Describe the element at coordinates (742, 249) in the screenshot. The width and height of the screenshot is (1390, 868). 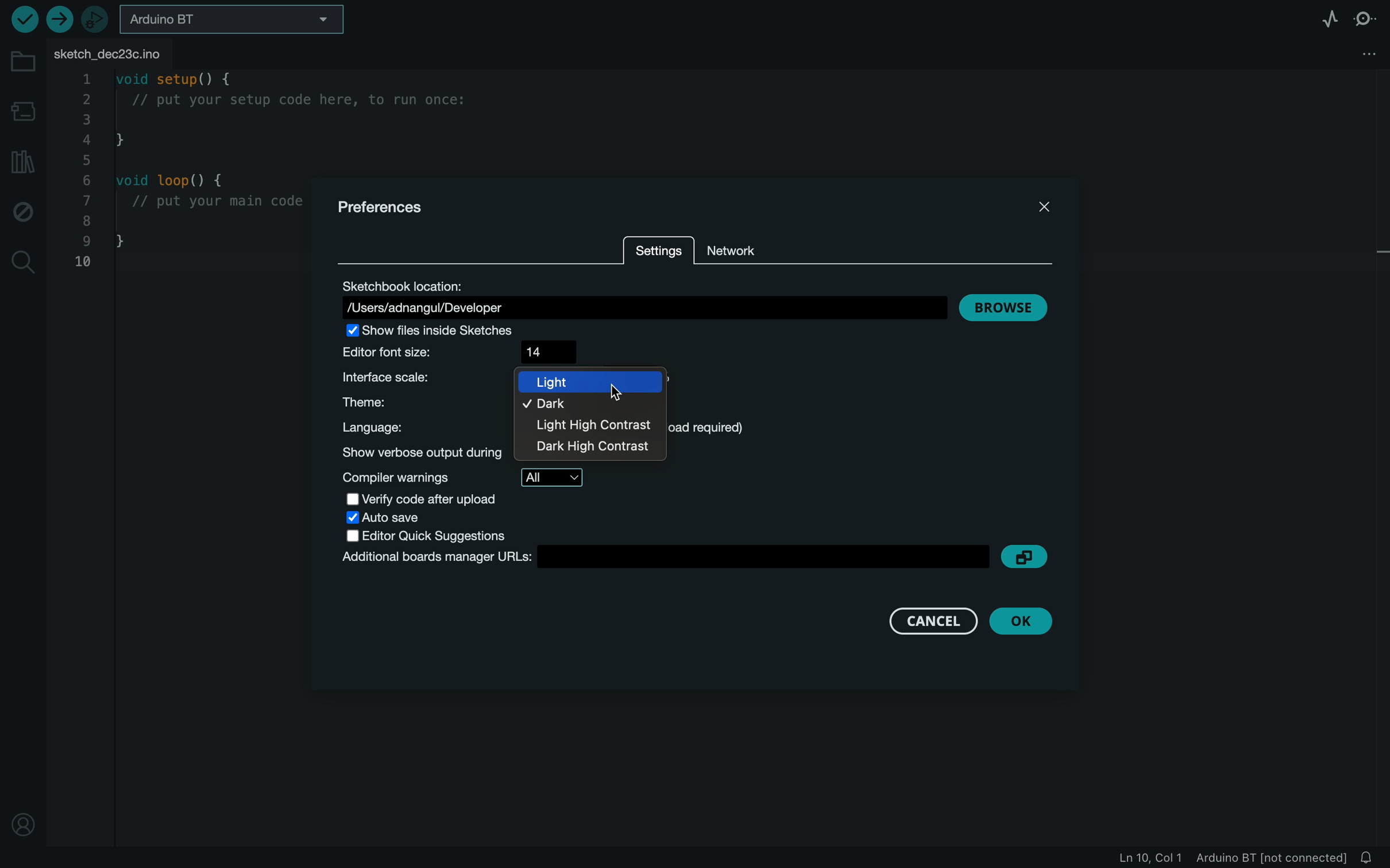
I see `network` at that location.